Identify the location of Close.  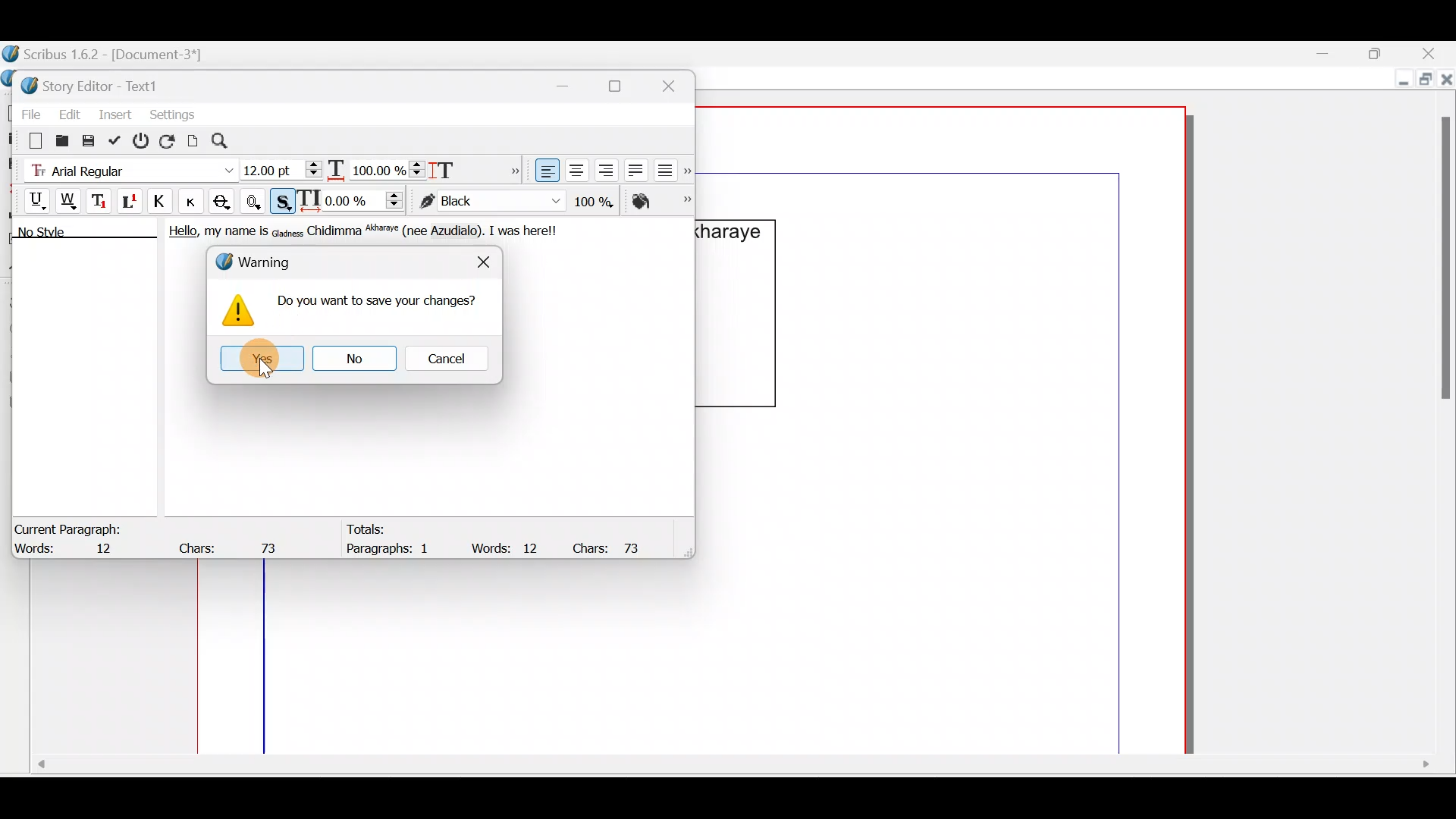
(1447, 83).